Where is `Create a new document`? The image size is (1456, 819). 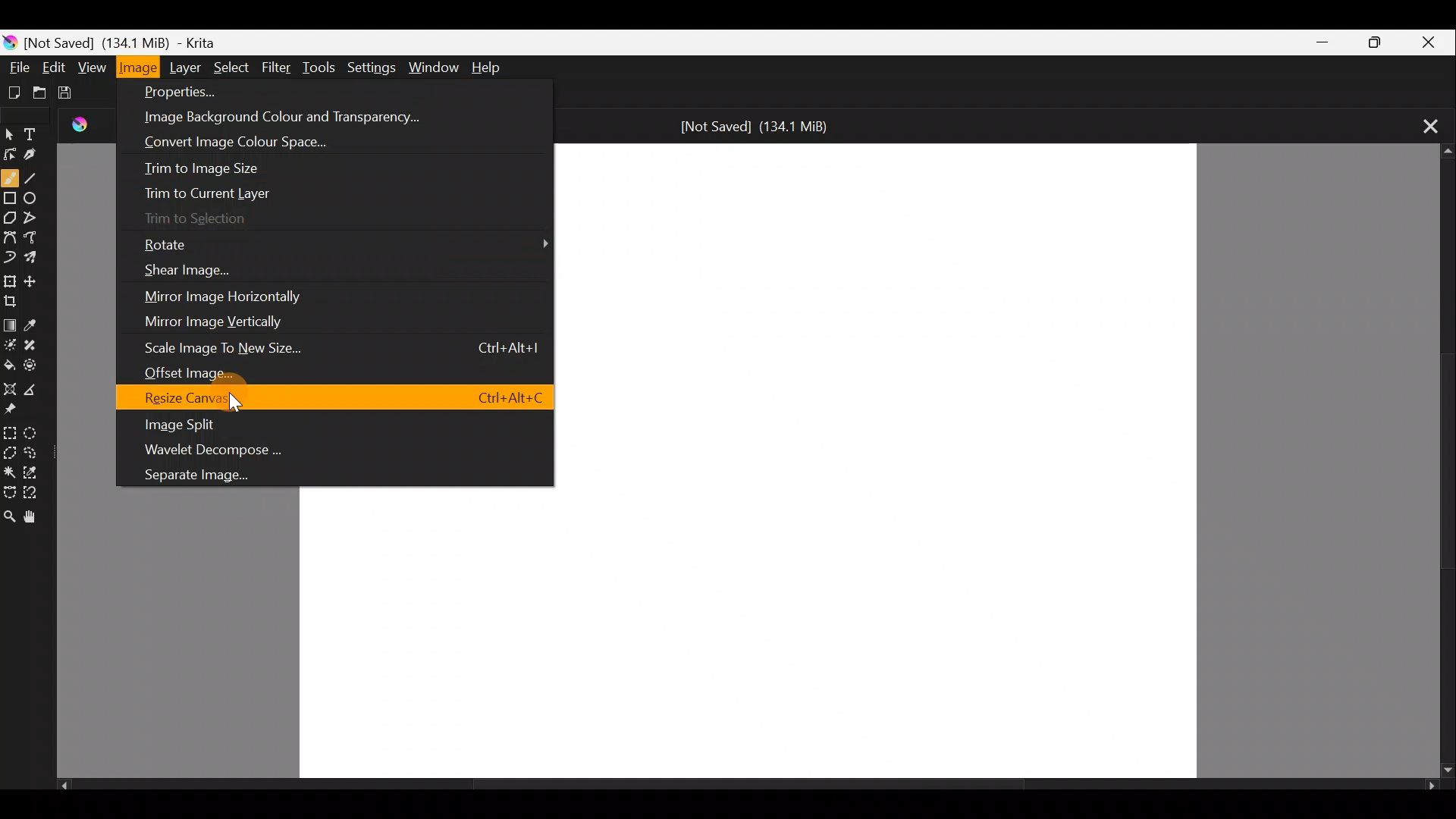
Create a new document is located at coordinates (15, 92).